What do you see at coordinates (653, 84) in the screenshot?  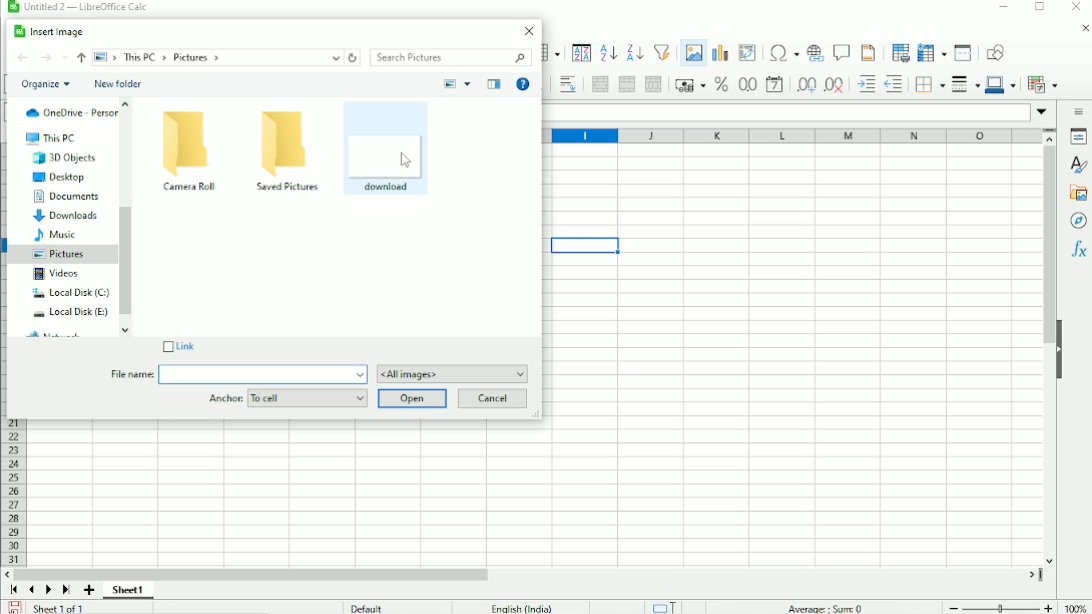 I see `Unmerge cells` at bounding box center [653, 84].